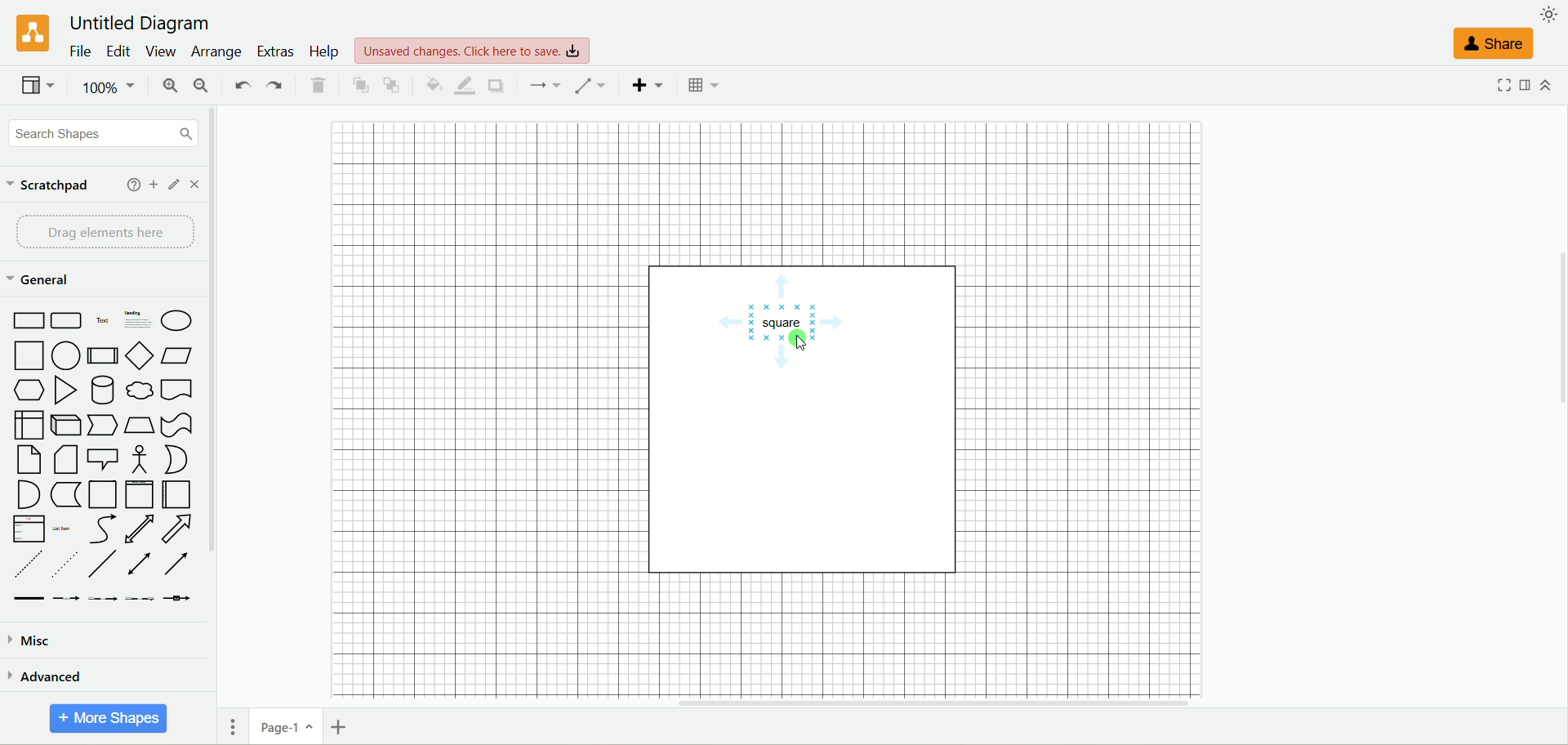 The width and height of the screenshot is (1568, 745). Describe the element at coordinates (395, 85) in the screenshot. I see `to back` at that location.